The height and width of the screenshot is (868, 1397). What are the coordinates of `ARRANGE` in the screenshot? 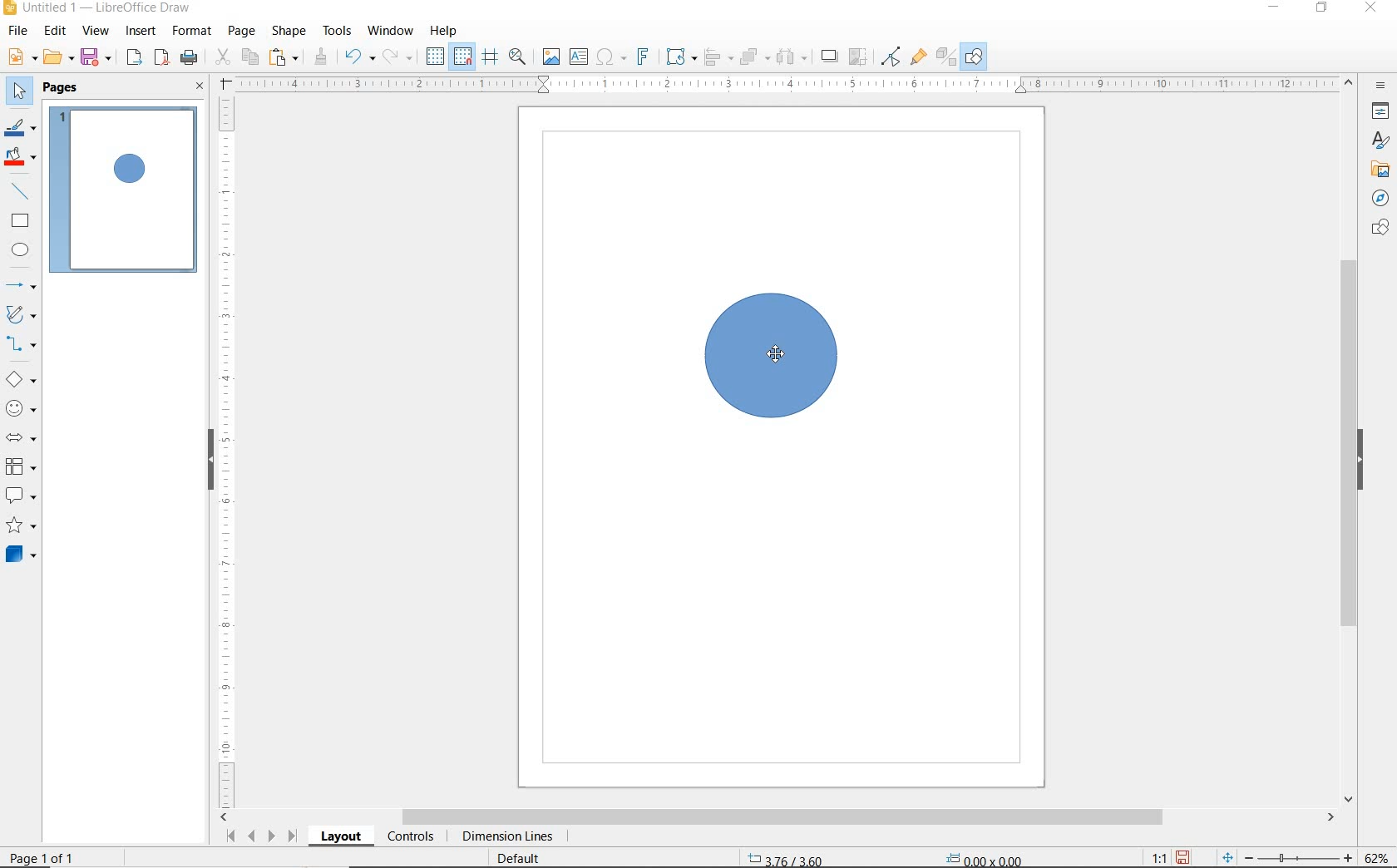 It's located at (754, 56).